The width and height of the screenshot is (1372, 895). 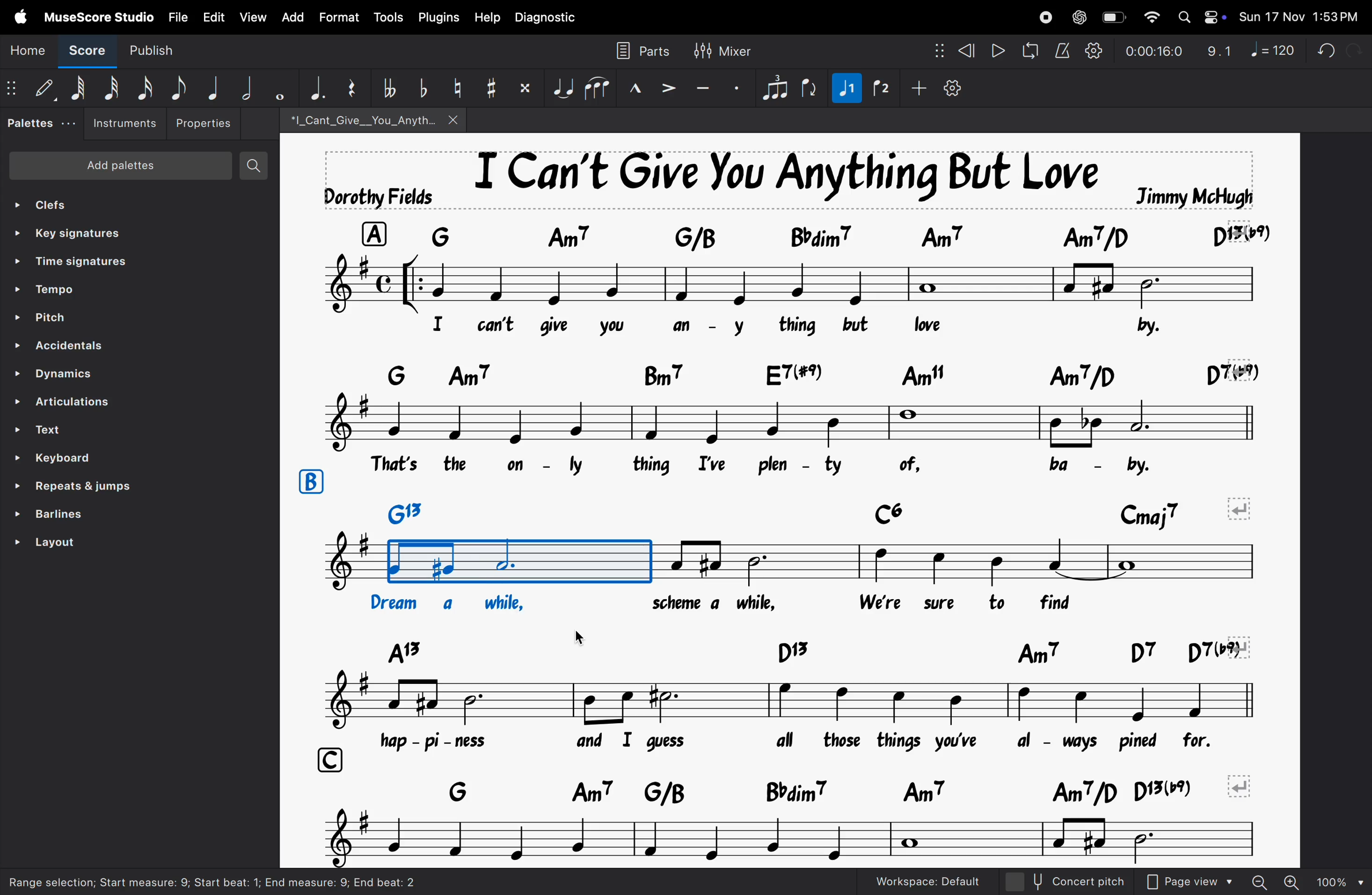 What do you see at coordinates (312, 87) in the screenshot?
I see ` aggumentation dot` at bounding box center [312, 87].